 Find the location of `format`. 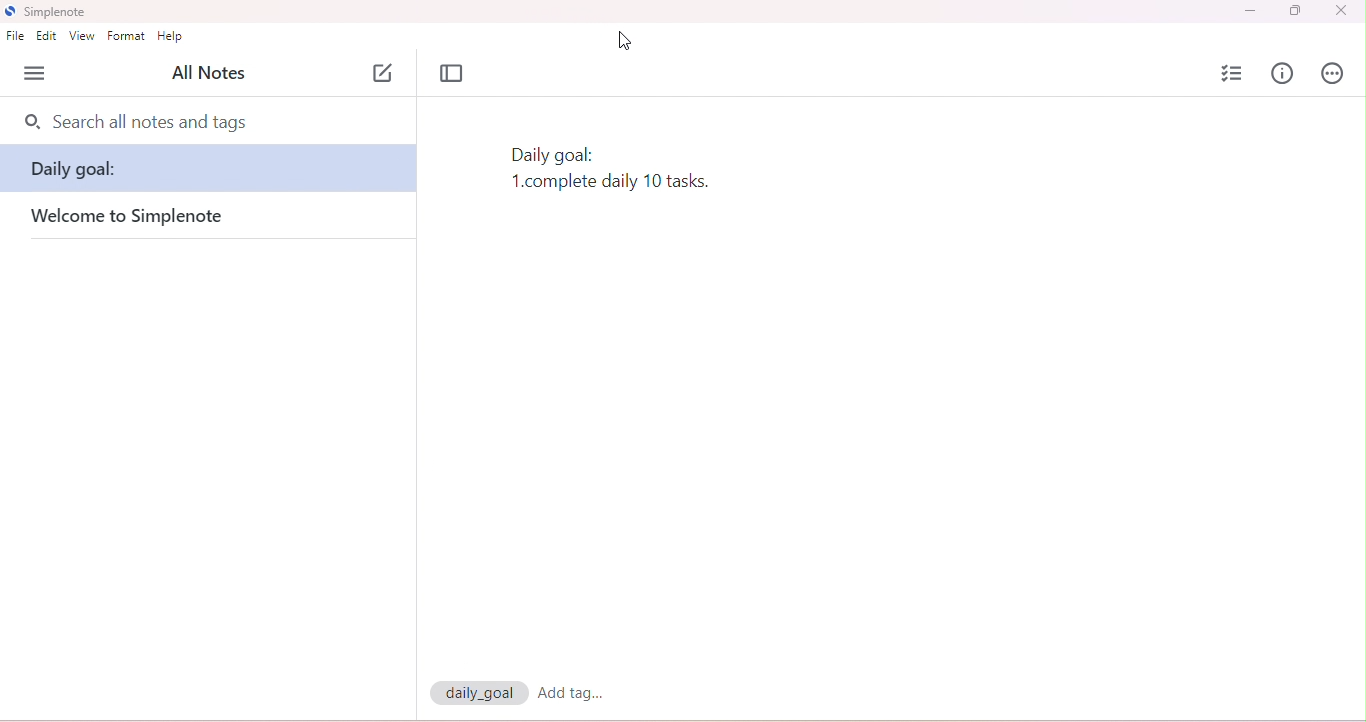

format is located at coordinates (127, 36).